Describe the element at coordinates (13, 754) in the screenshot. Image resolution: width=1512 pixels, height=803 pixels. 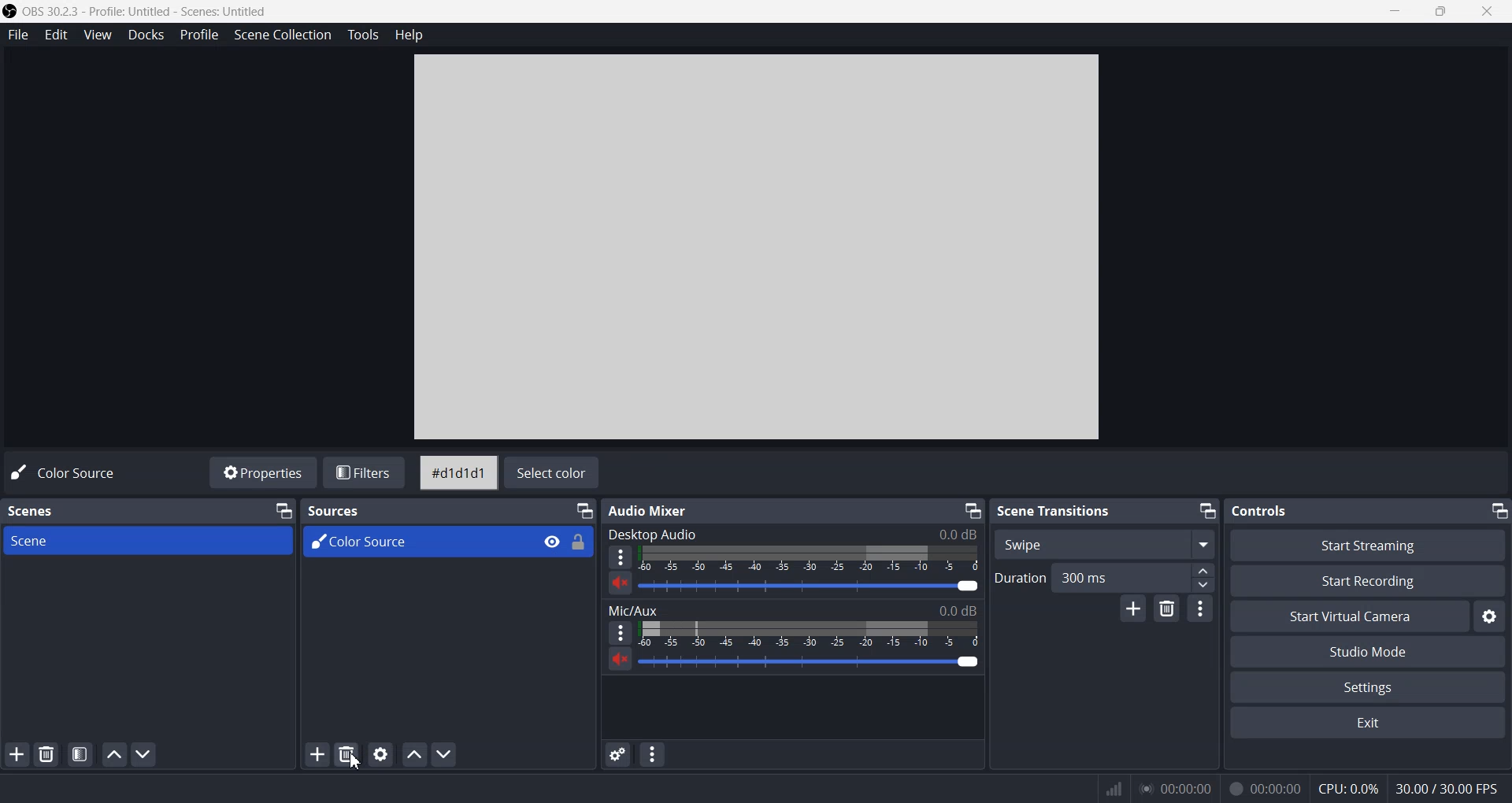
I see `Add Scene` at that location.